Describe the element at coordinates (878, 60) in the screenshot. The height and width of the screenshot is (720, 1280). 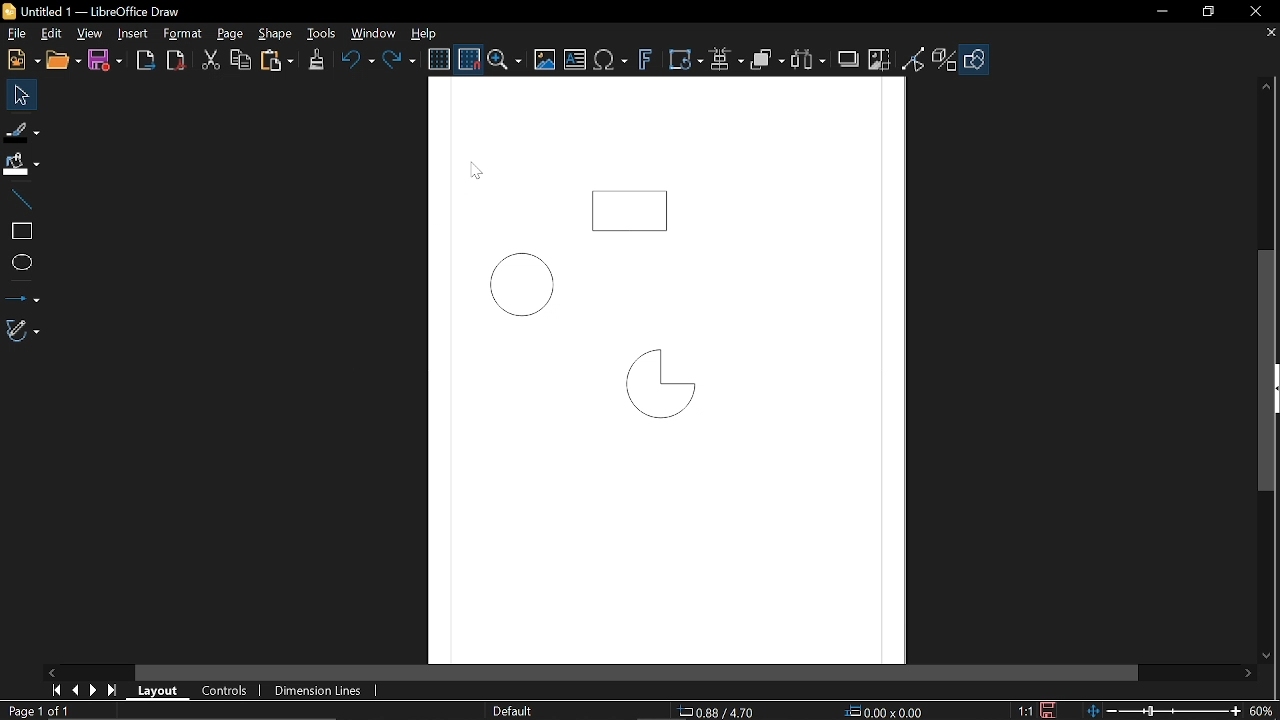
I see `Crop` at that location.